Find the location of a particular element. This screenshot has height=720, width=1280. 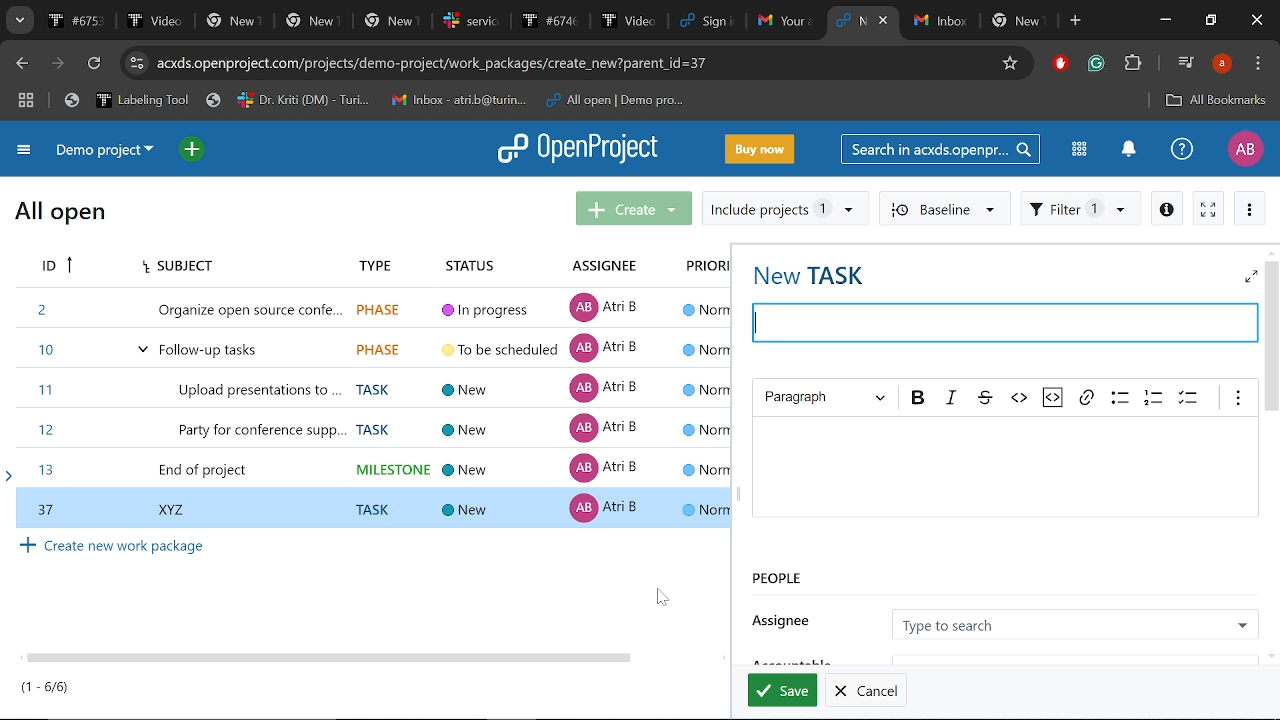

Cancel is located at coordinates (866, 690).